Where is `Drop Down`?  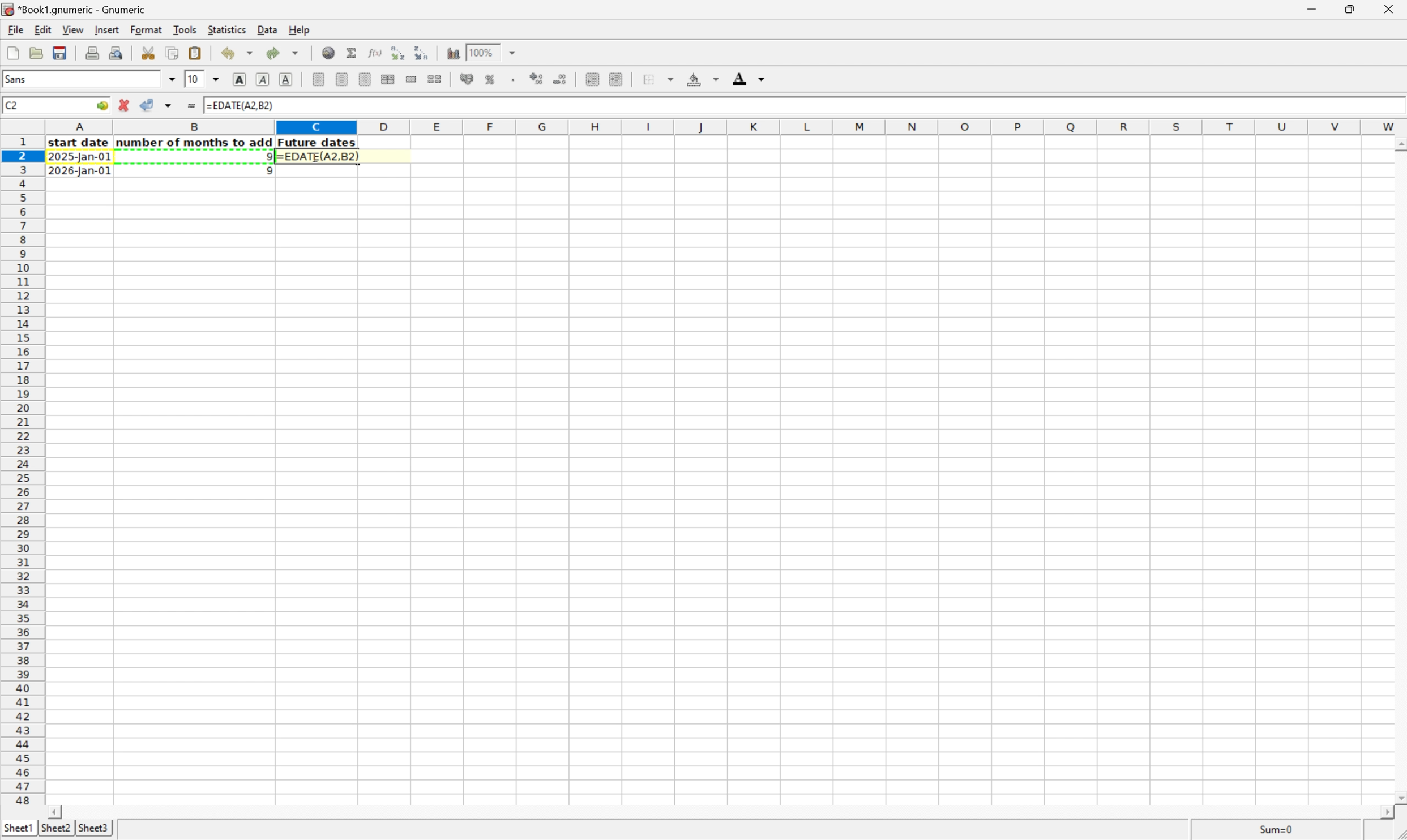
Drop Down is located at coordinates (216, 80).